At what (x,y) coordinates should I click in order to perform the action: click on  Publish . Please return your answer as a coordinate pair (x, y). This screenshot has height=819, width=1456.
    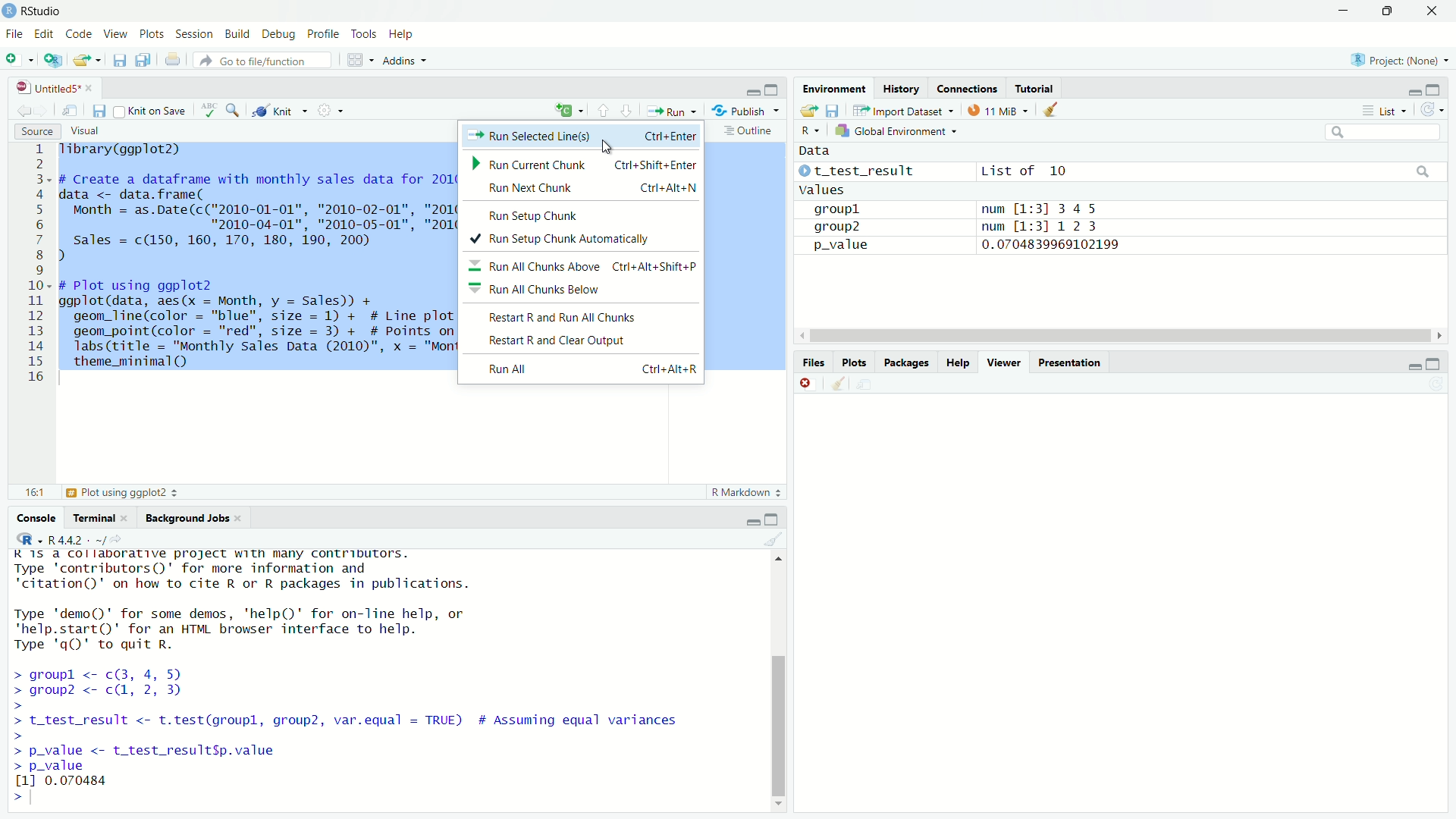
    Looking at the image, I should click on (749, 111).